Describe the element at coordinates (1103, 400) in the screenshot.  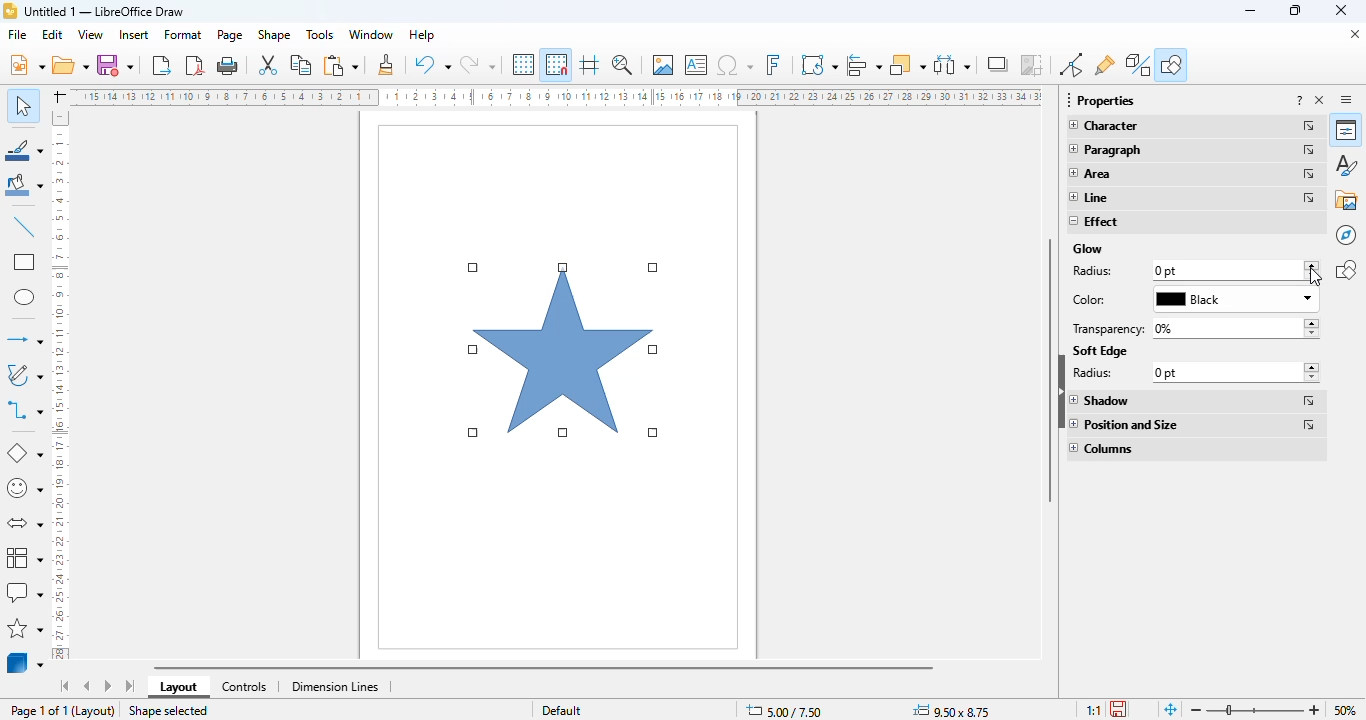
I see `shadow` at that location.